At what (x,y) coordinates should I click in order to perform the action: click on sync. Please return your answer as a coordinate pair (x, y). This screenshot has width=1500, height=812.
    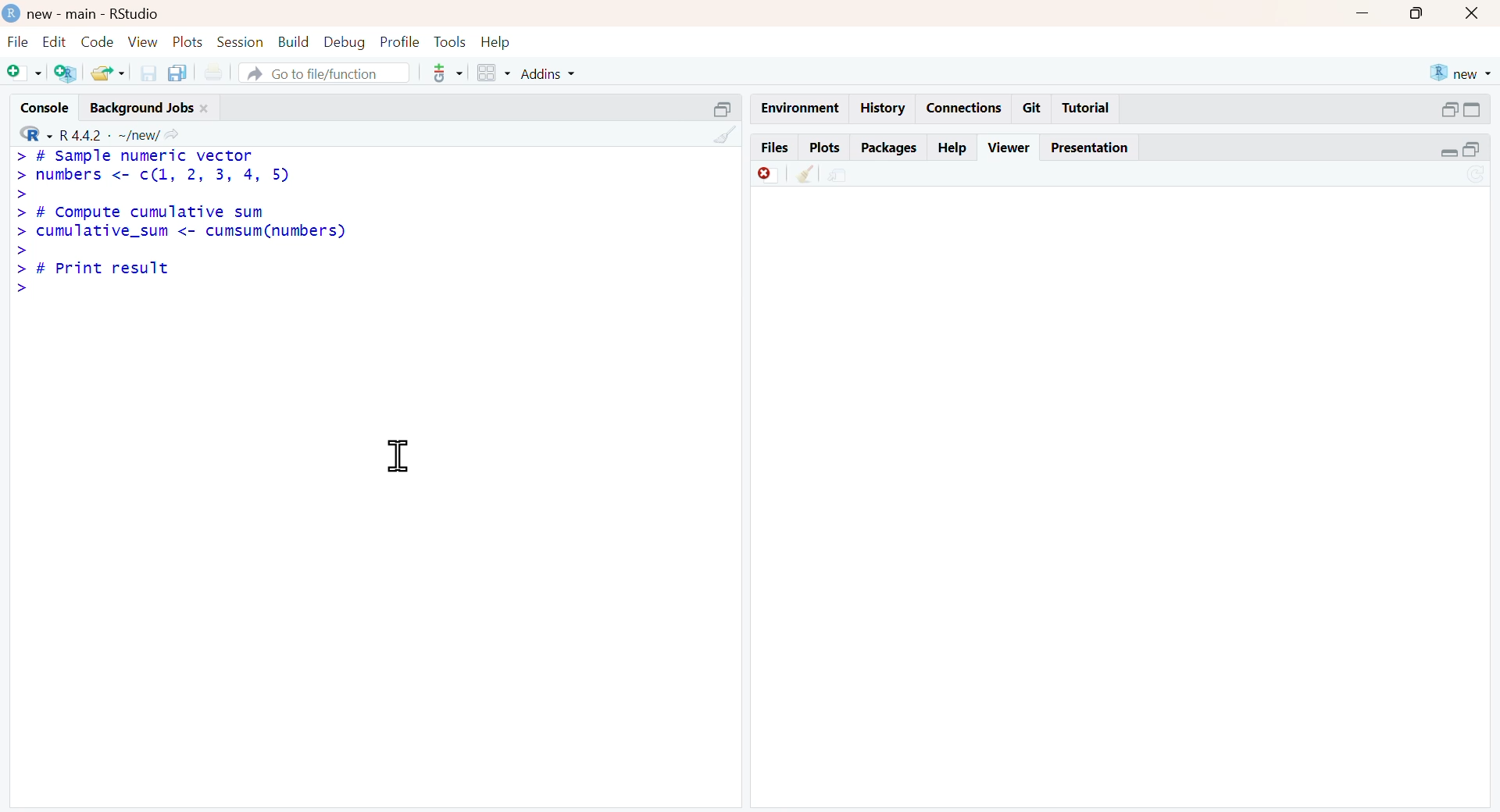
    Looking at the image, I should click on (1477, 175).